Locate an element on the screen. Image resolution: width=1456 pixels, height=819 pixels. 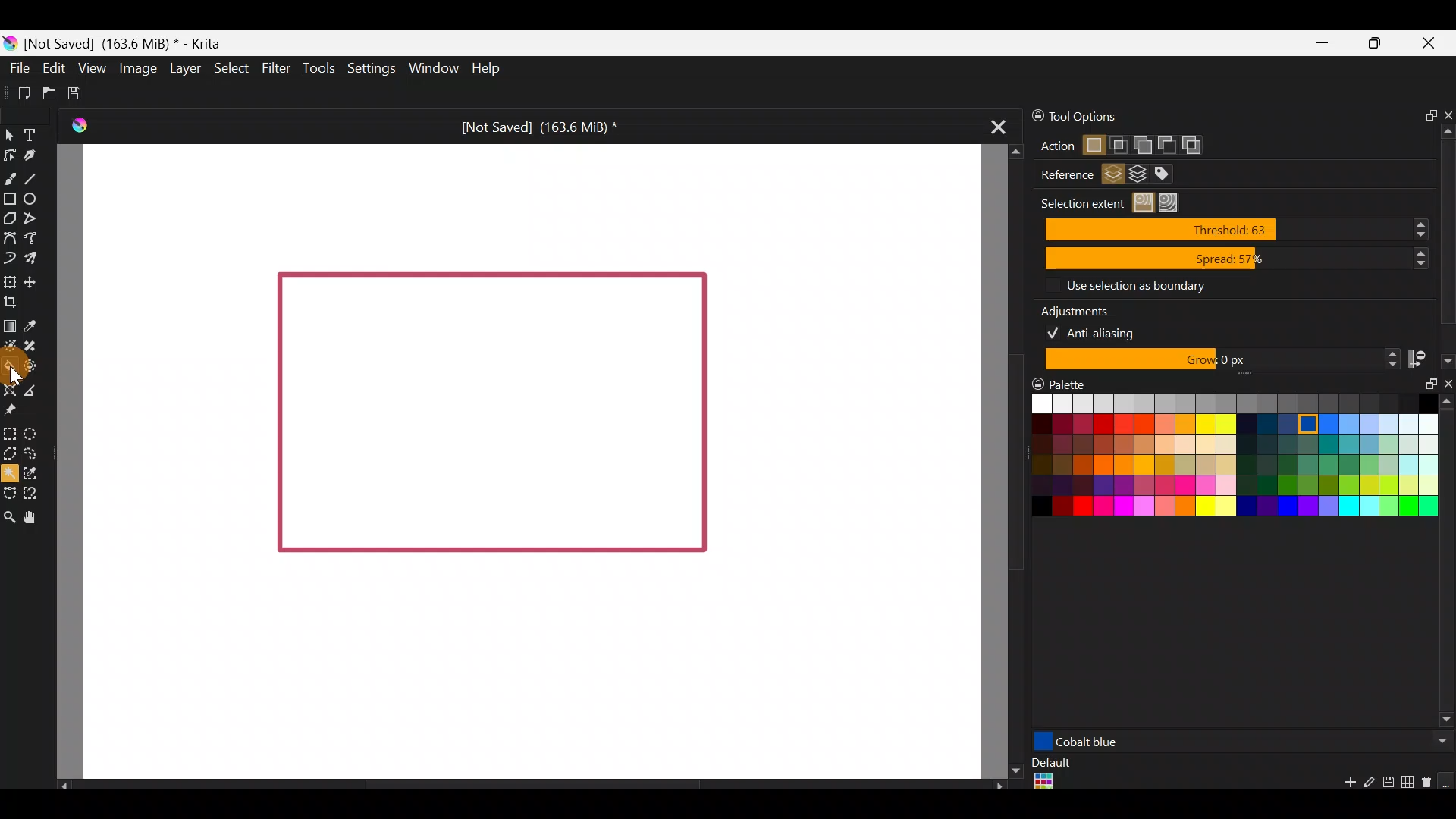
Minimize is located at coordinates (1323, 44).